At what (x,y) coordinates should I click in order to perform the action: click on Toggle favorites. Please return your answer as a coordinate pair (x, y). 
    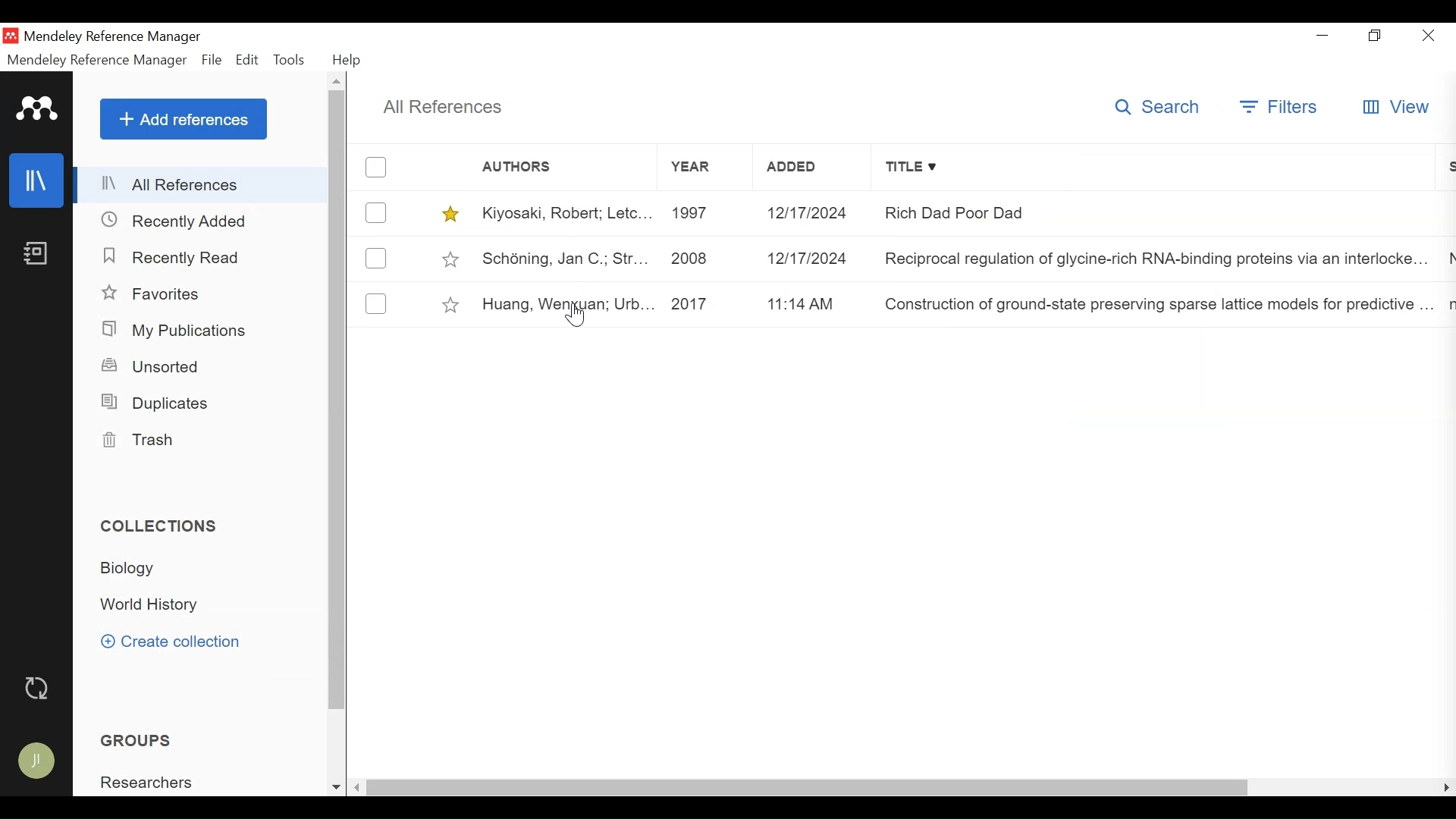
    Looking at the image, I should click on (449, 212).